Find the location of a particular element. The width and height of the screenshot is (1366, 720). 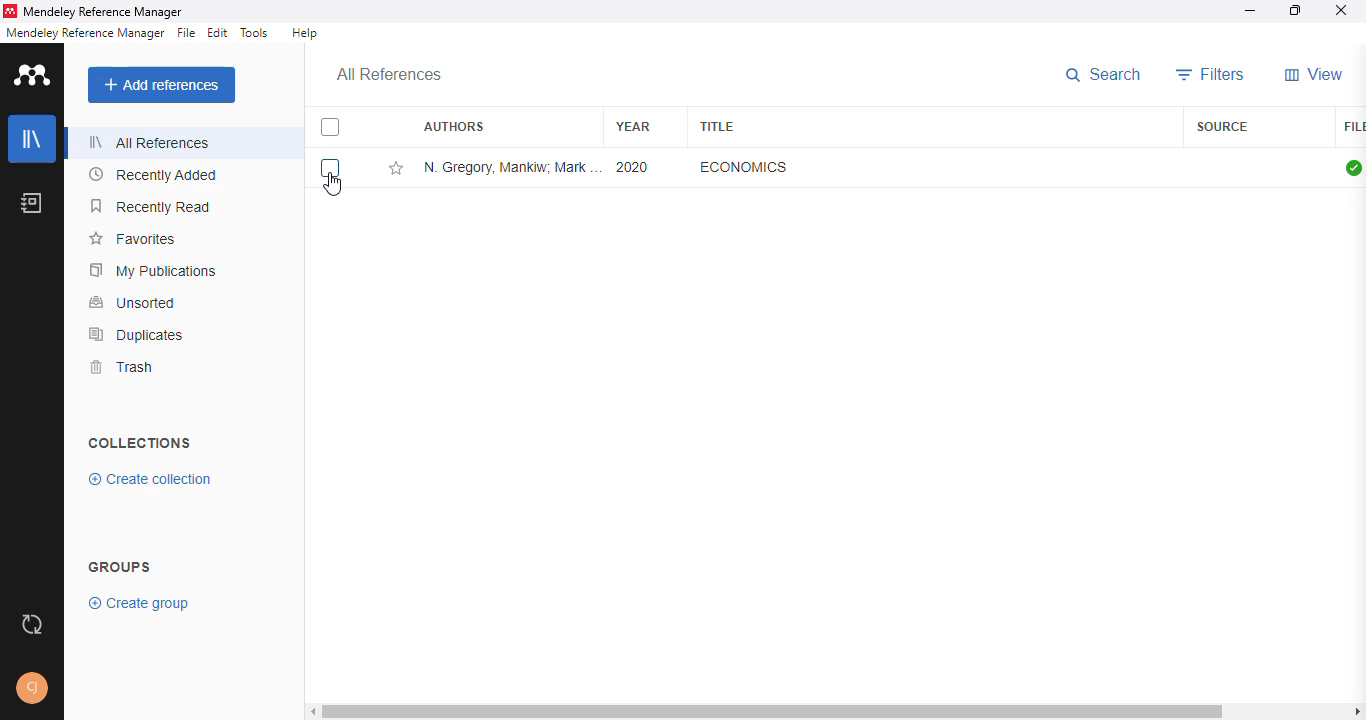

notebook is located at coordinates (30, 203).